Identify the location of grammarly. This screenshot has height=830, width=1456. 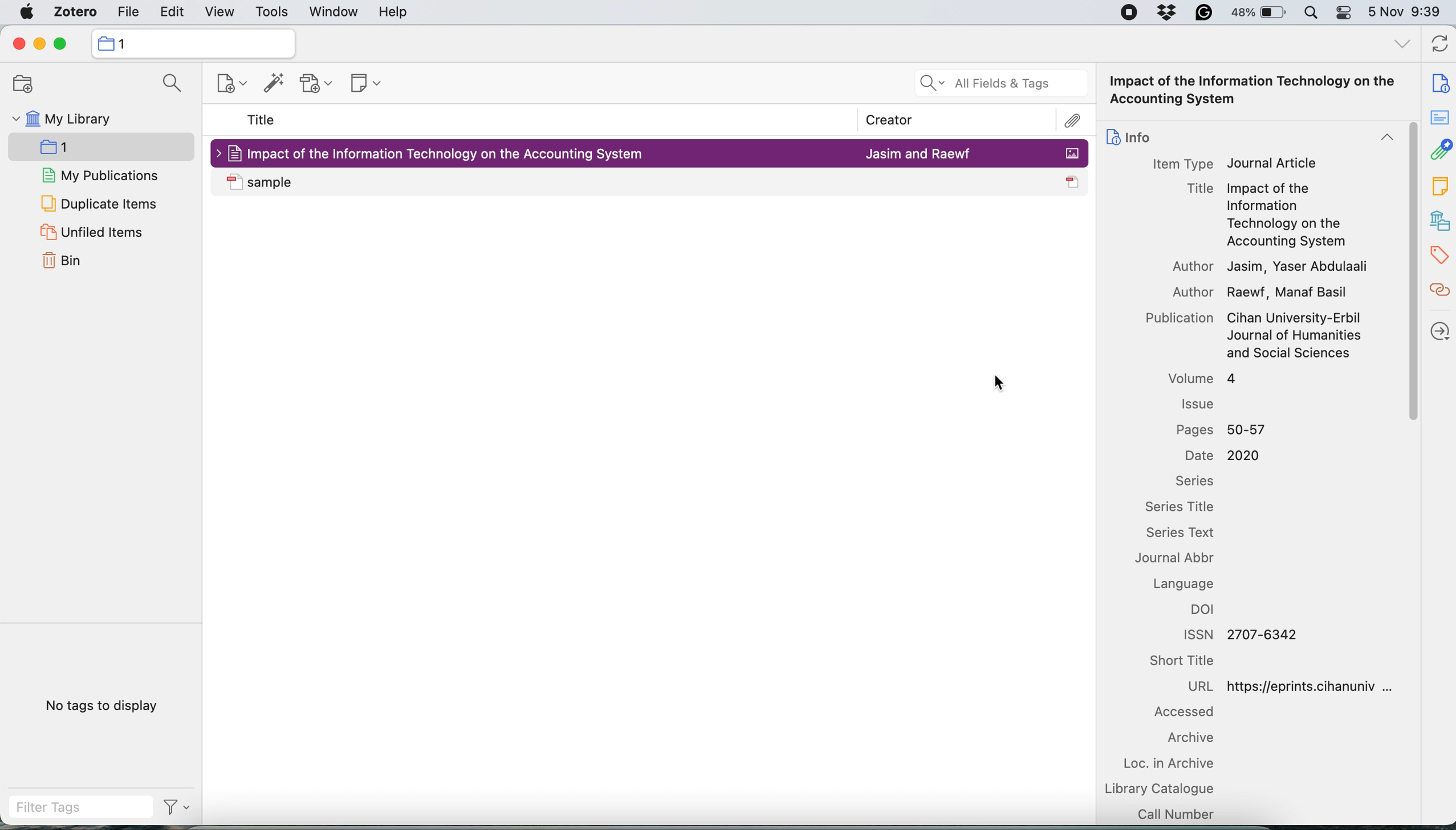
(1203, 13).